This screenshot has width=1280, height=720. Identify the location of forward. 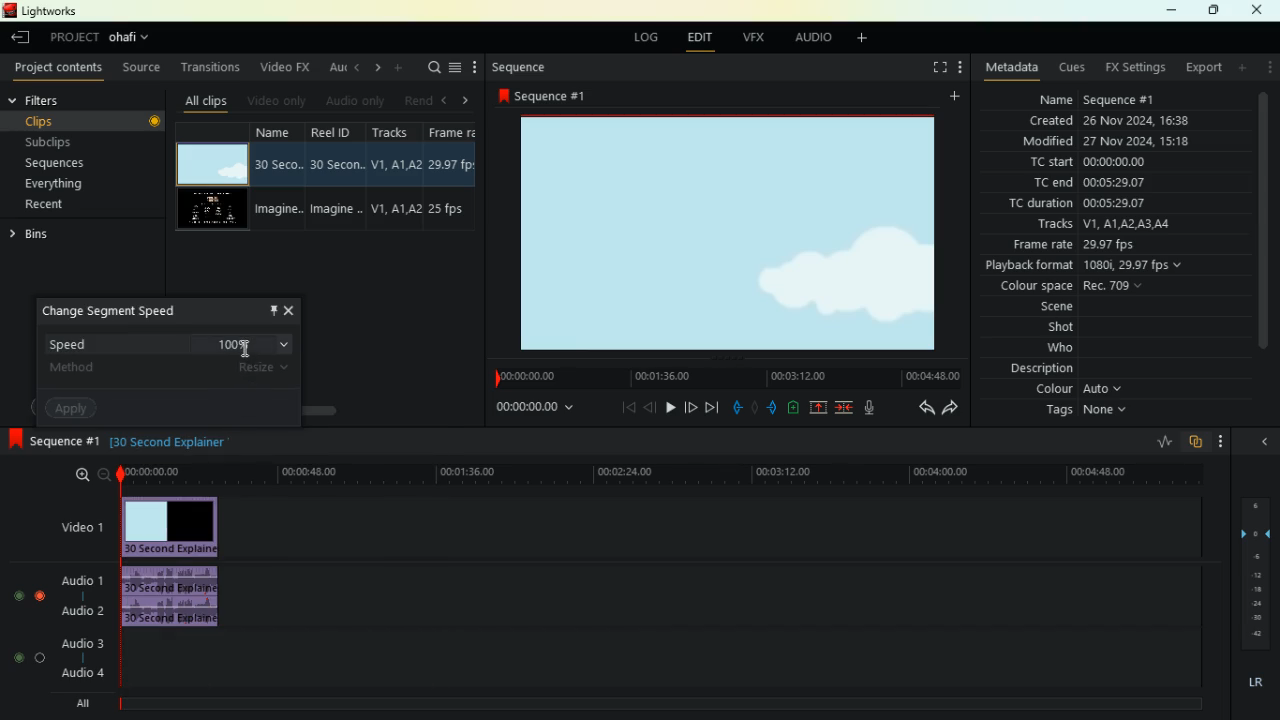
(954, 407).